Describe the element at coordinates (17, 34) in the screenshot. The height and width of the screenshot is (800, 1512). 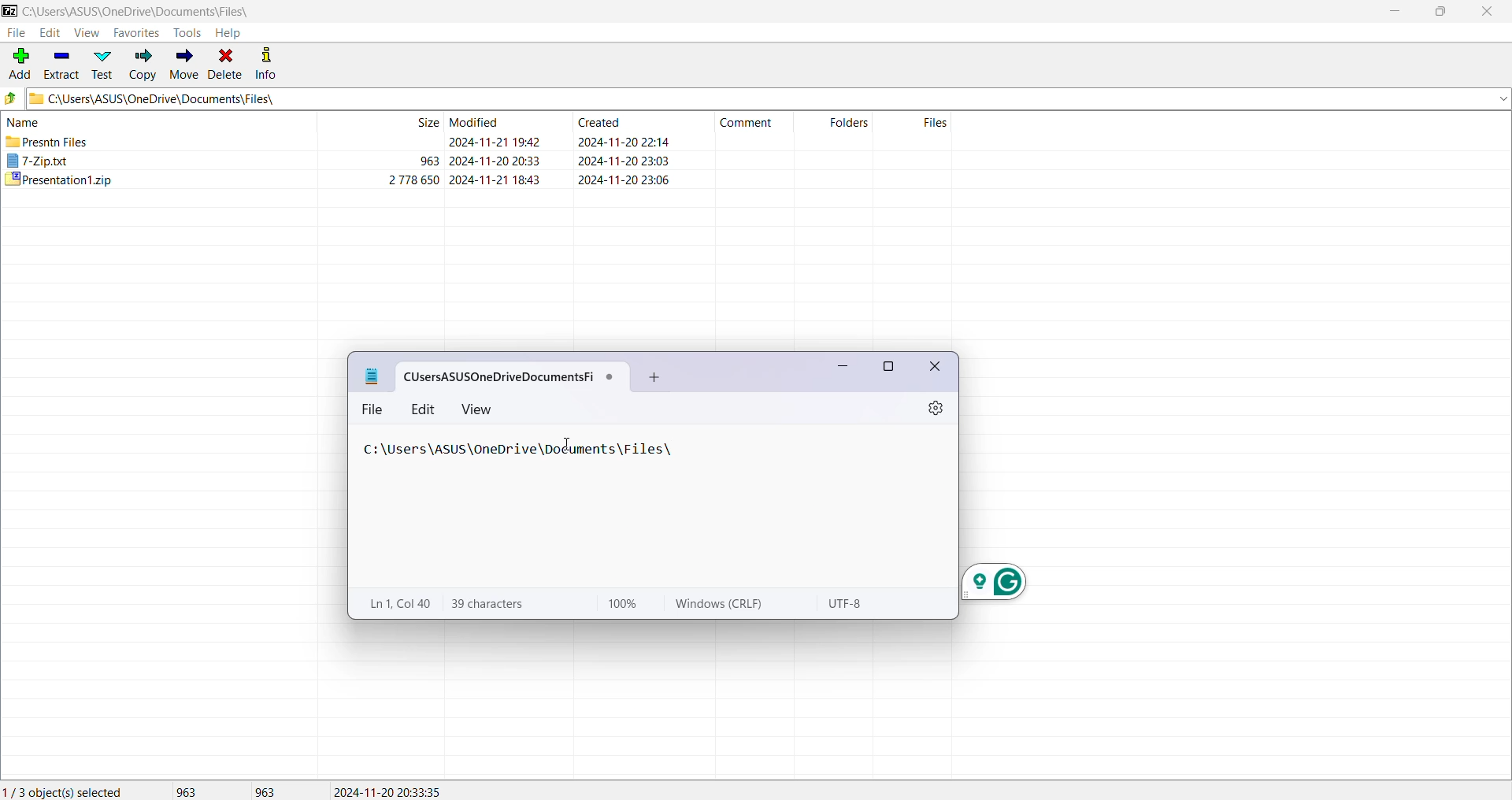
I see `File` at that location.